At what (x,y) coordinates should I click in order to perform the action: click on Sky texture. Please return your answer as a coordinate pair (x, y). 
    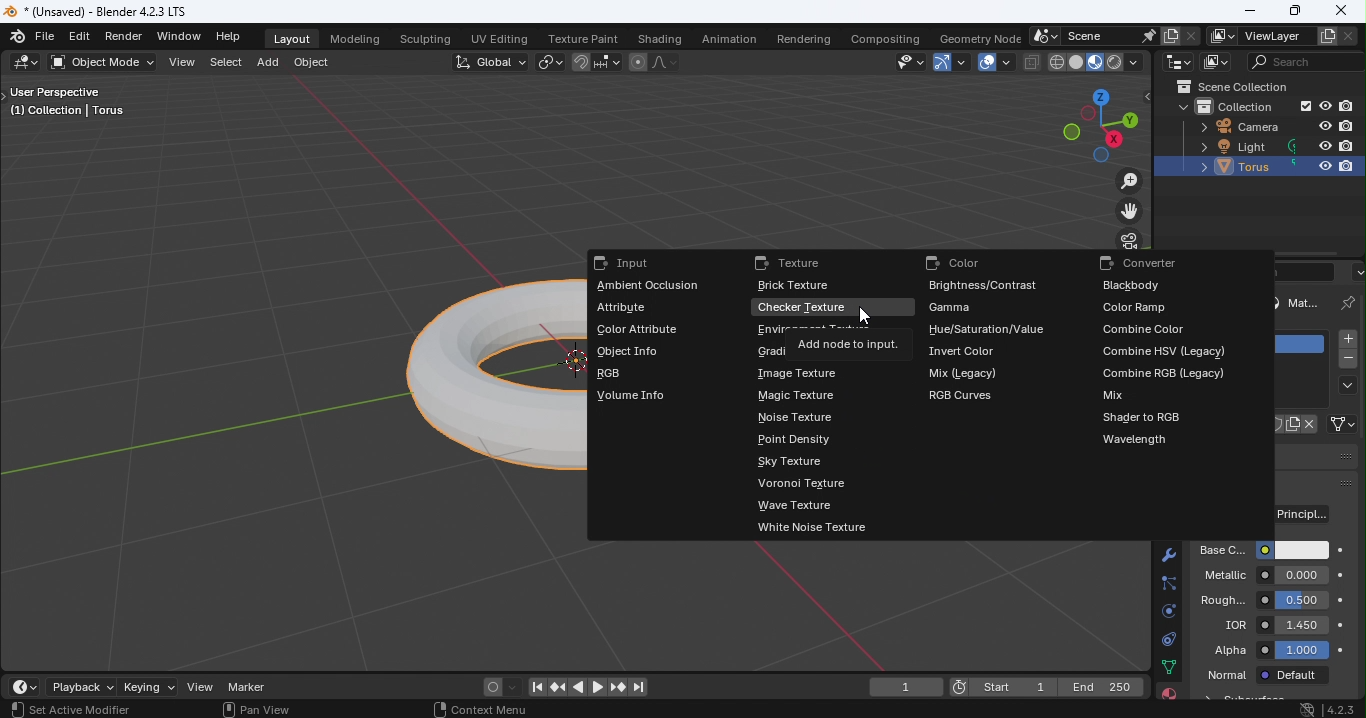
    Looking at the image, I should click on (791, 461).